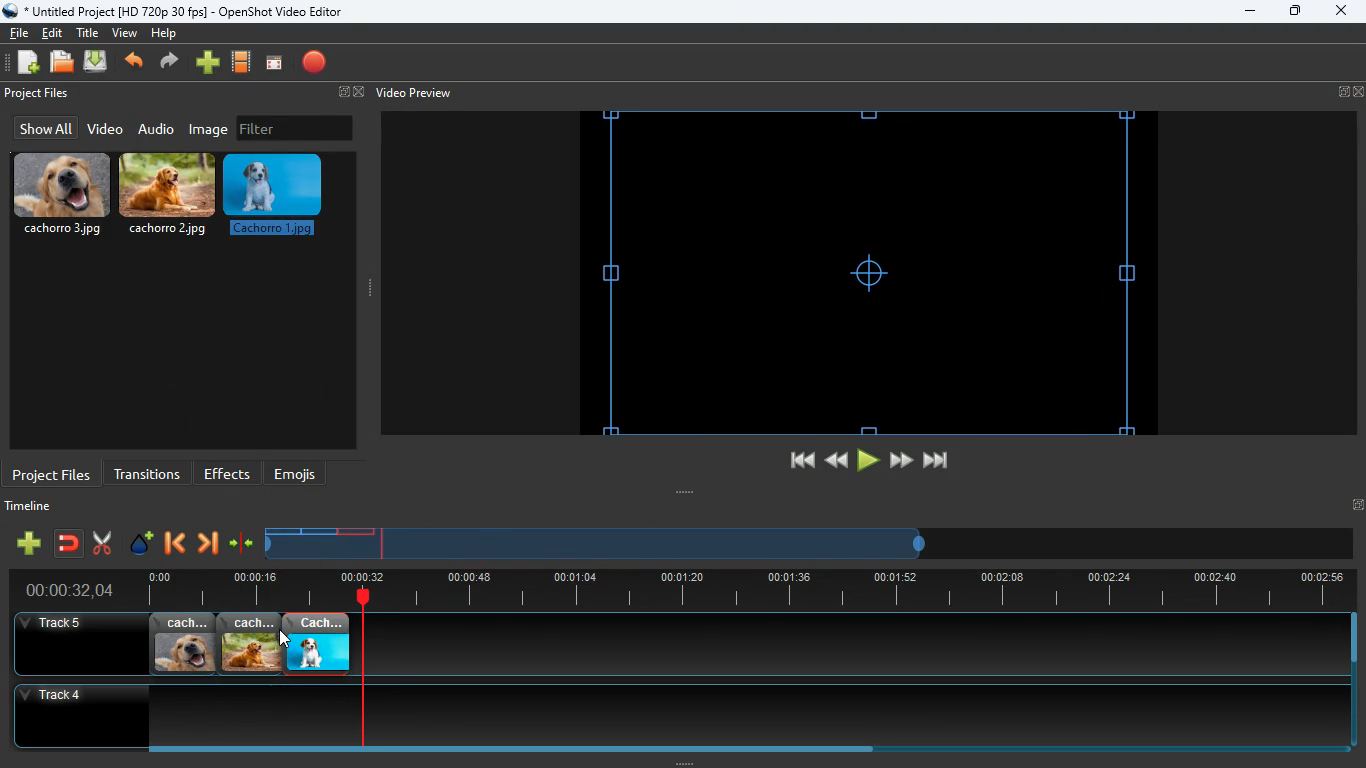 This screenshot has width=1366, height=768. I want to click on Image 3 timeline, so click(362, 531).